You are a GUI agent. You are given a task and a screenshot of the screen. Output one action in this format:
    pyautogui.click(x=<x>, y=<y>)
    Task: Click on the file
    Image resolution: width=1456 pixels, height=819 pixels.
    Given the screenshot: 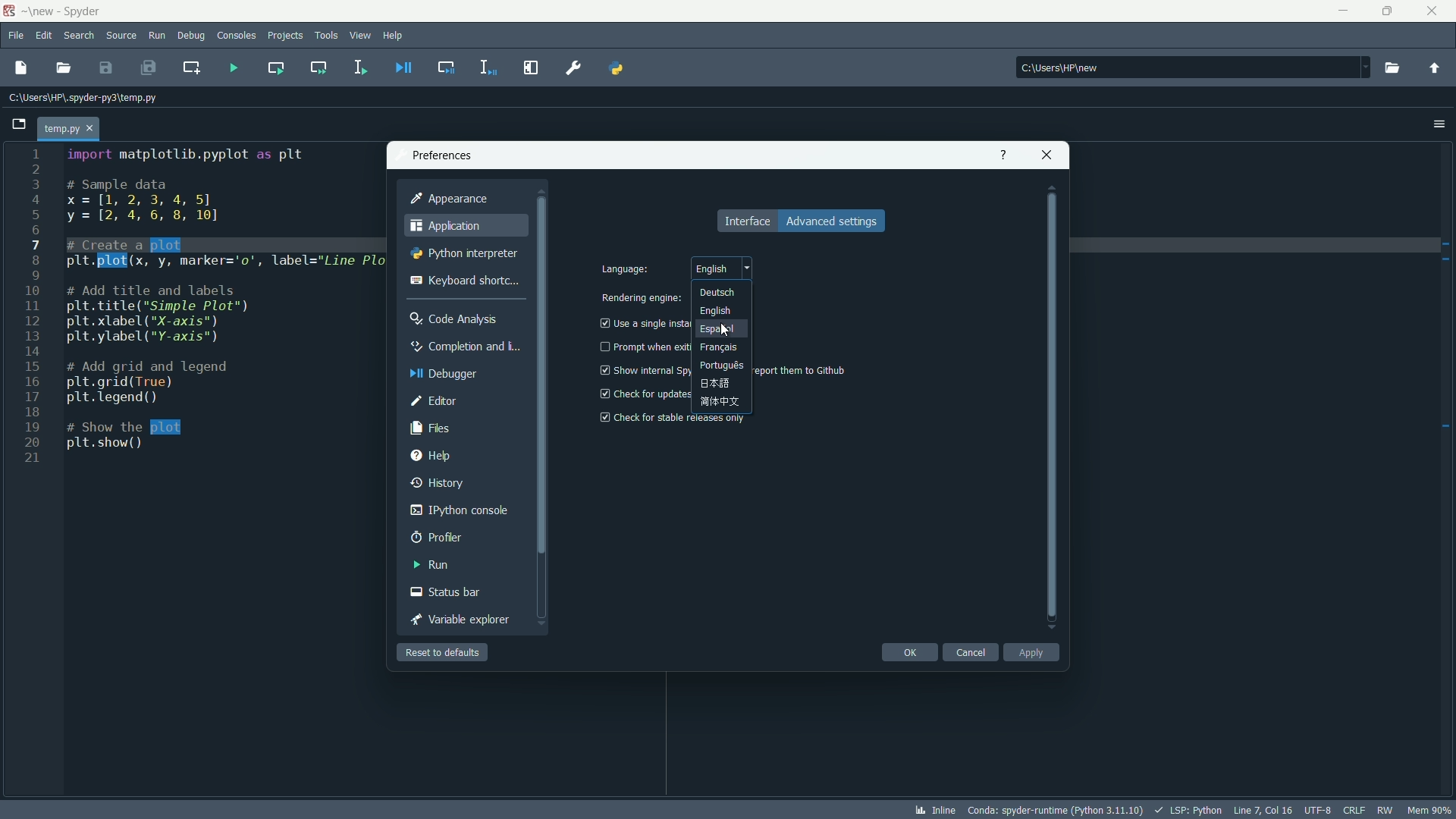 What is the action you would take?
    pyautogui.click(x=16, y=37)
    